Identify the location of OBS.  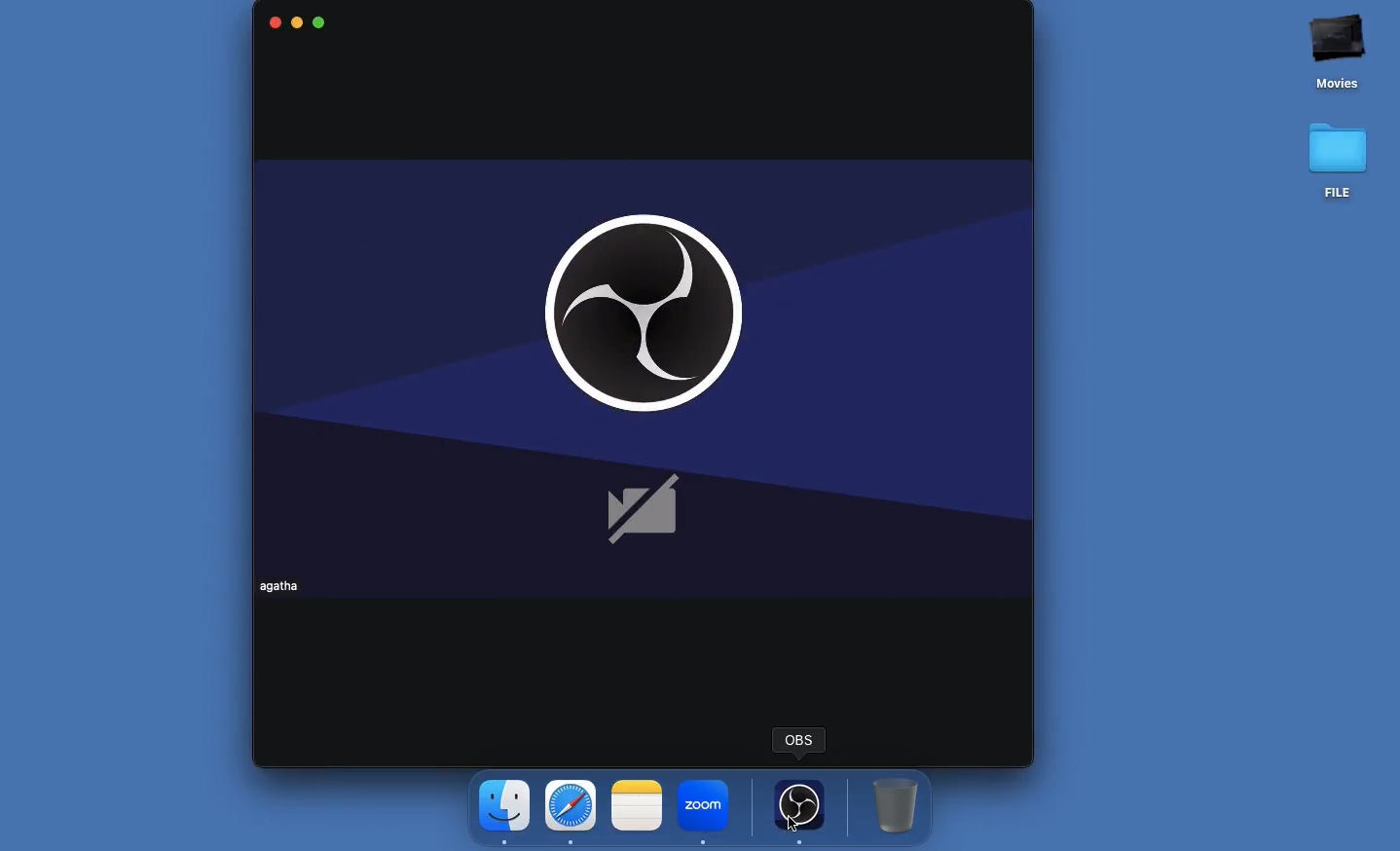
(649, 360).